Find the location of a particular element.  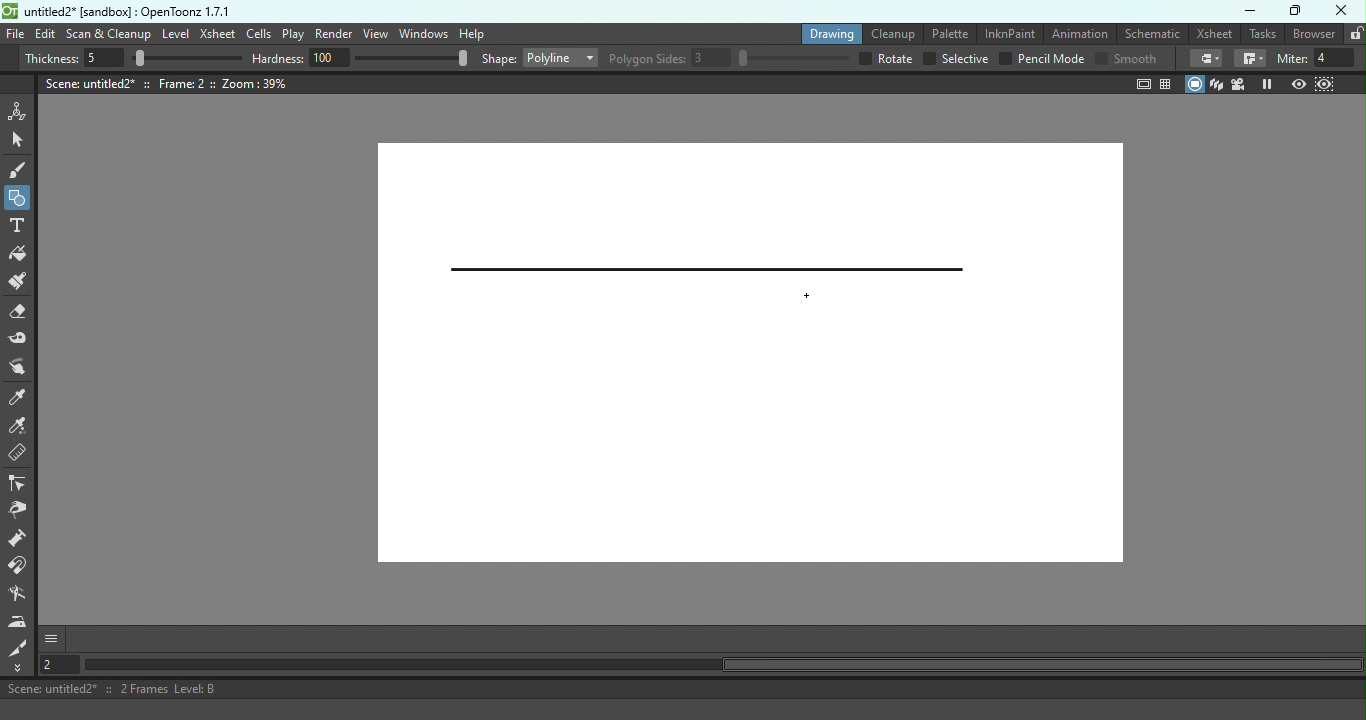

Selective is located at coordinates (956, 59).